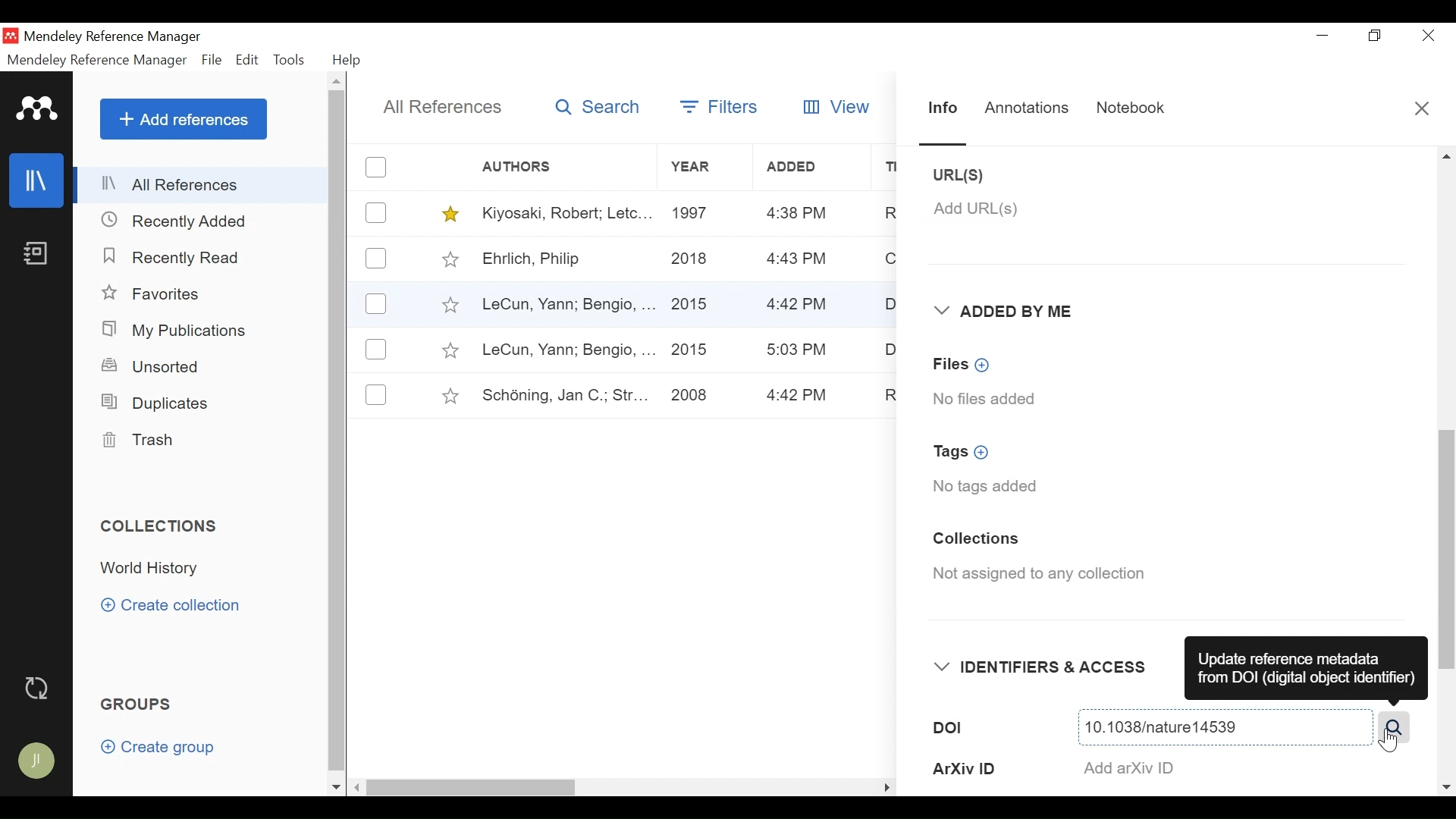  Describe the element at coordinates (799, 396) in the screenshot. I see `4:42 PM` at that location.